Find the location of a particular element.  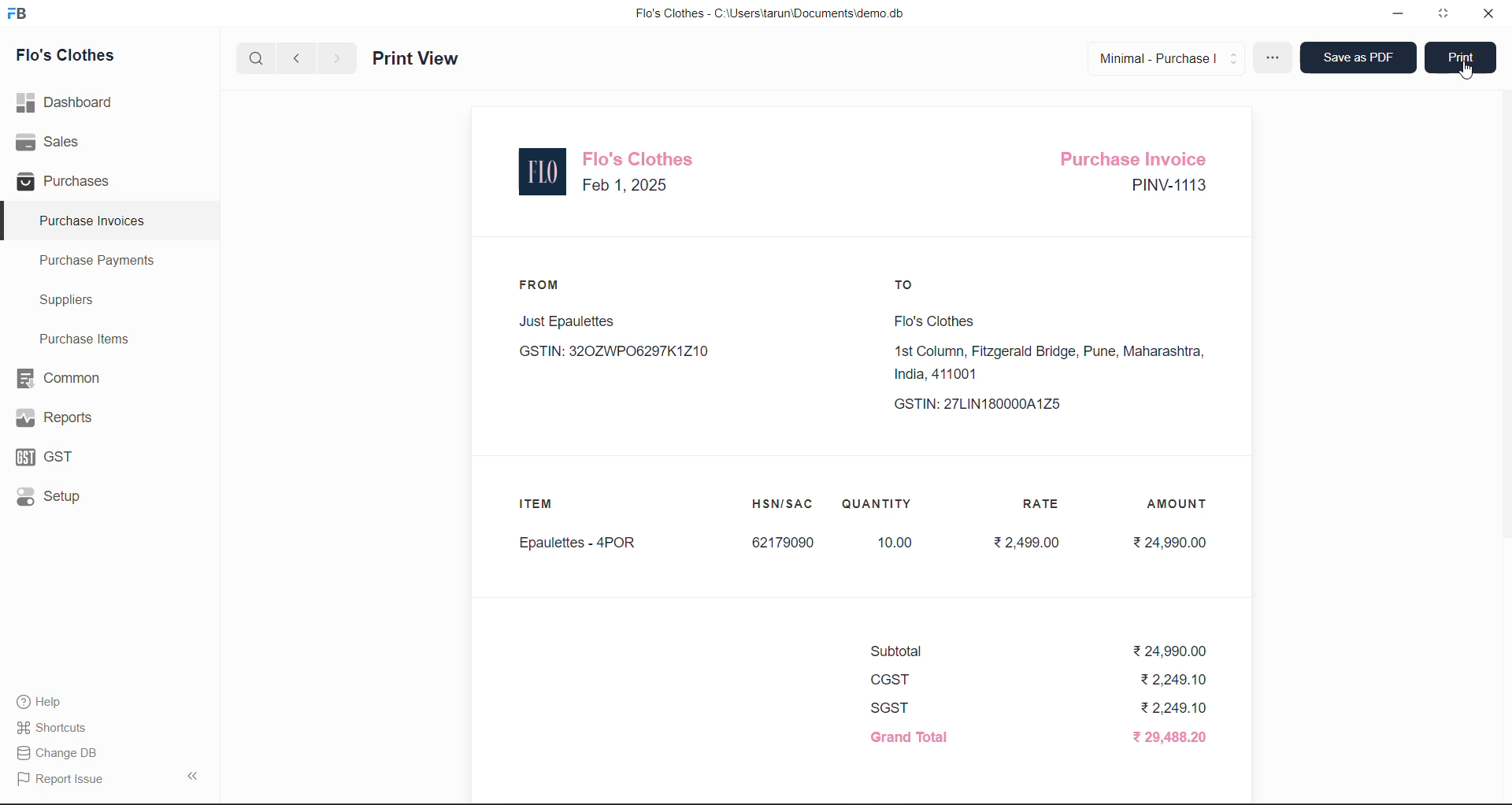

₹24,990.00 is located at coordinates (1177, 544).